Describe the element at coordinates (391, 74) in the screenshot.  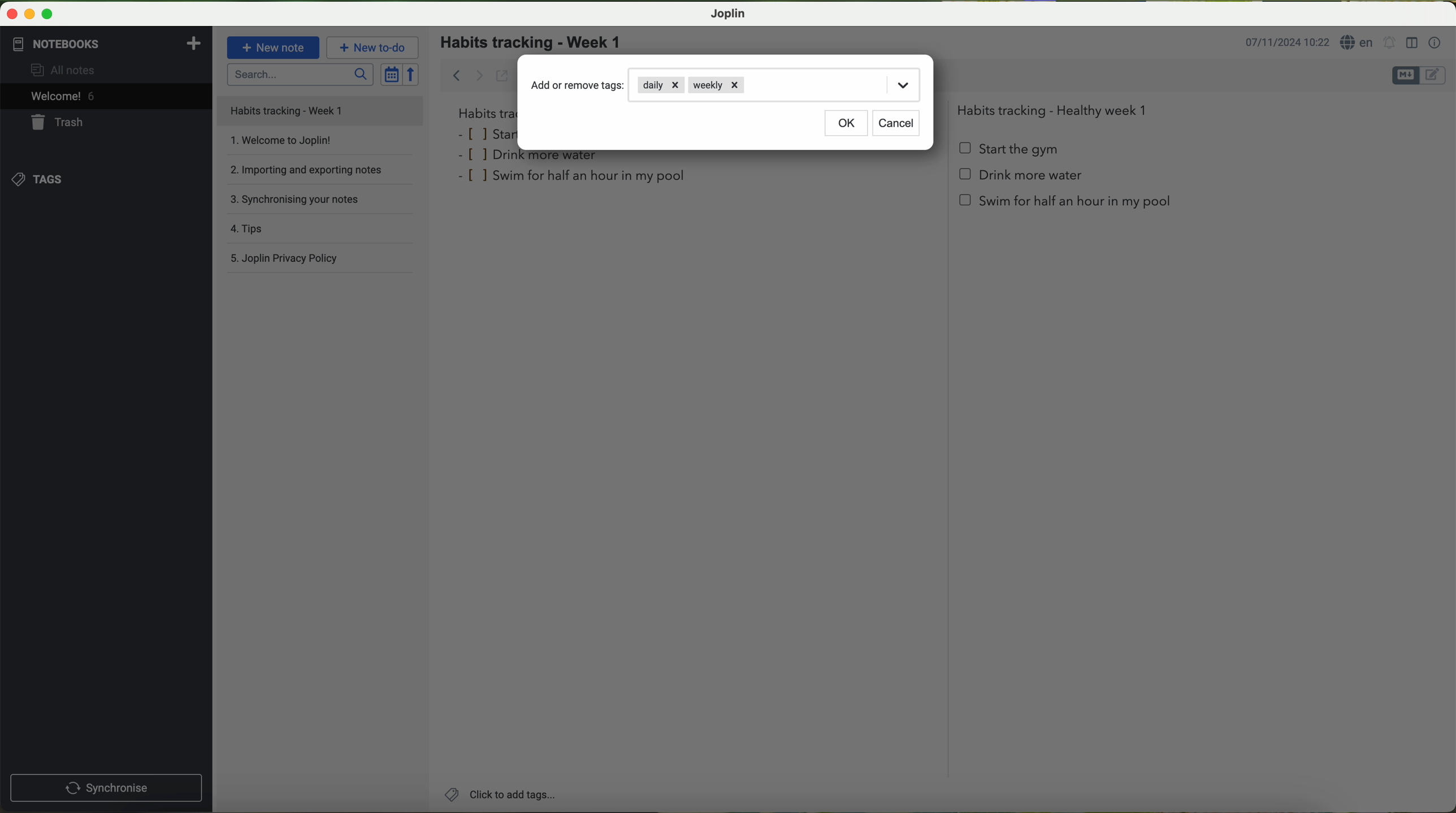
I see `toggle sort order field` at that location.